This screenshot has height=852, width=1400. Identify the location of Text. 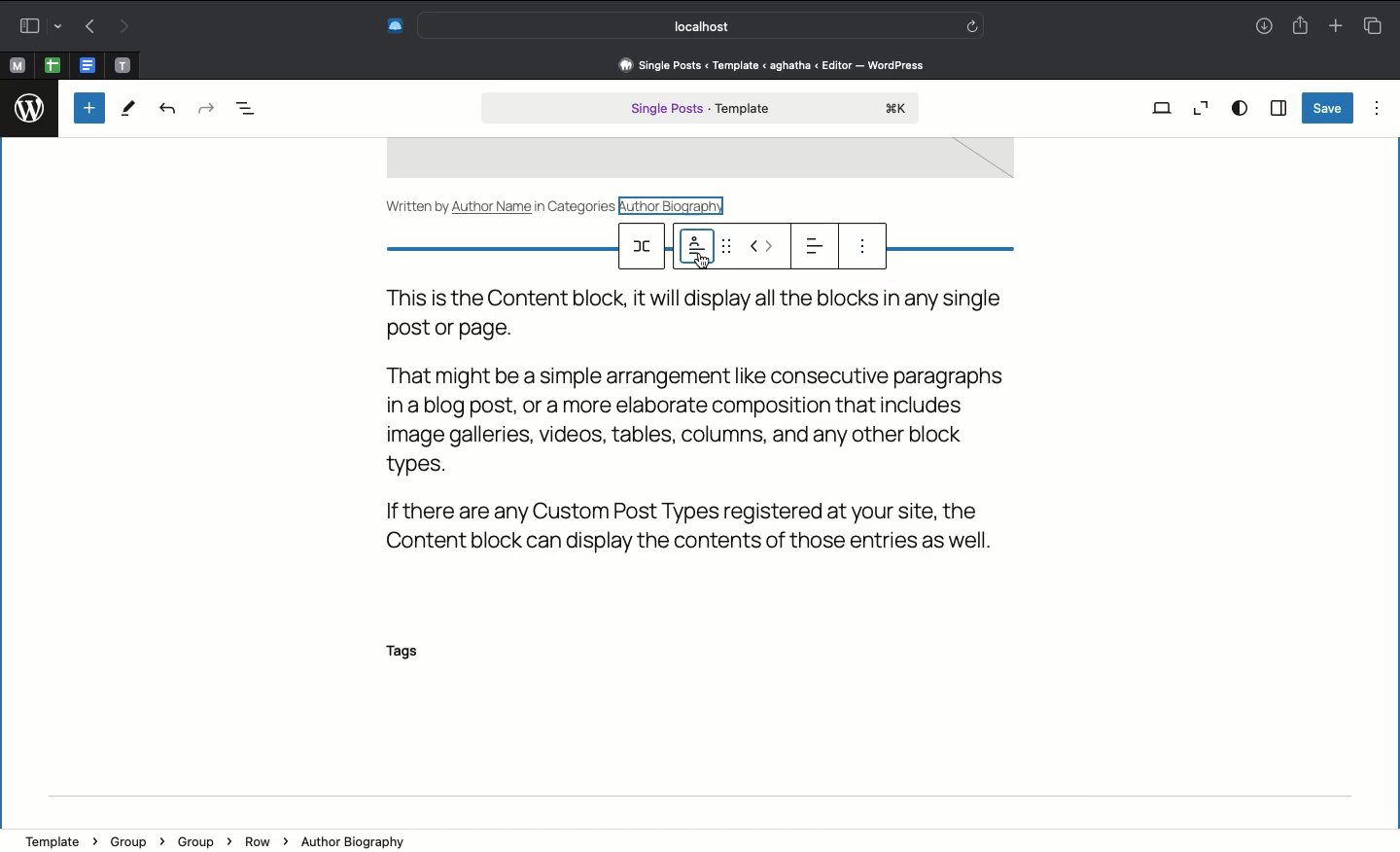
(715, 419).